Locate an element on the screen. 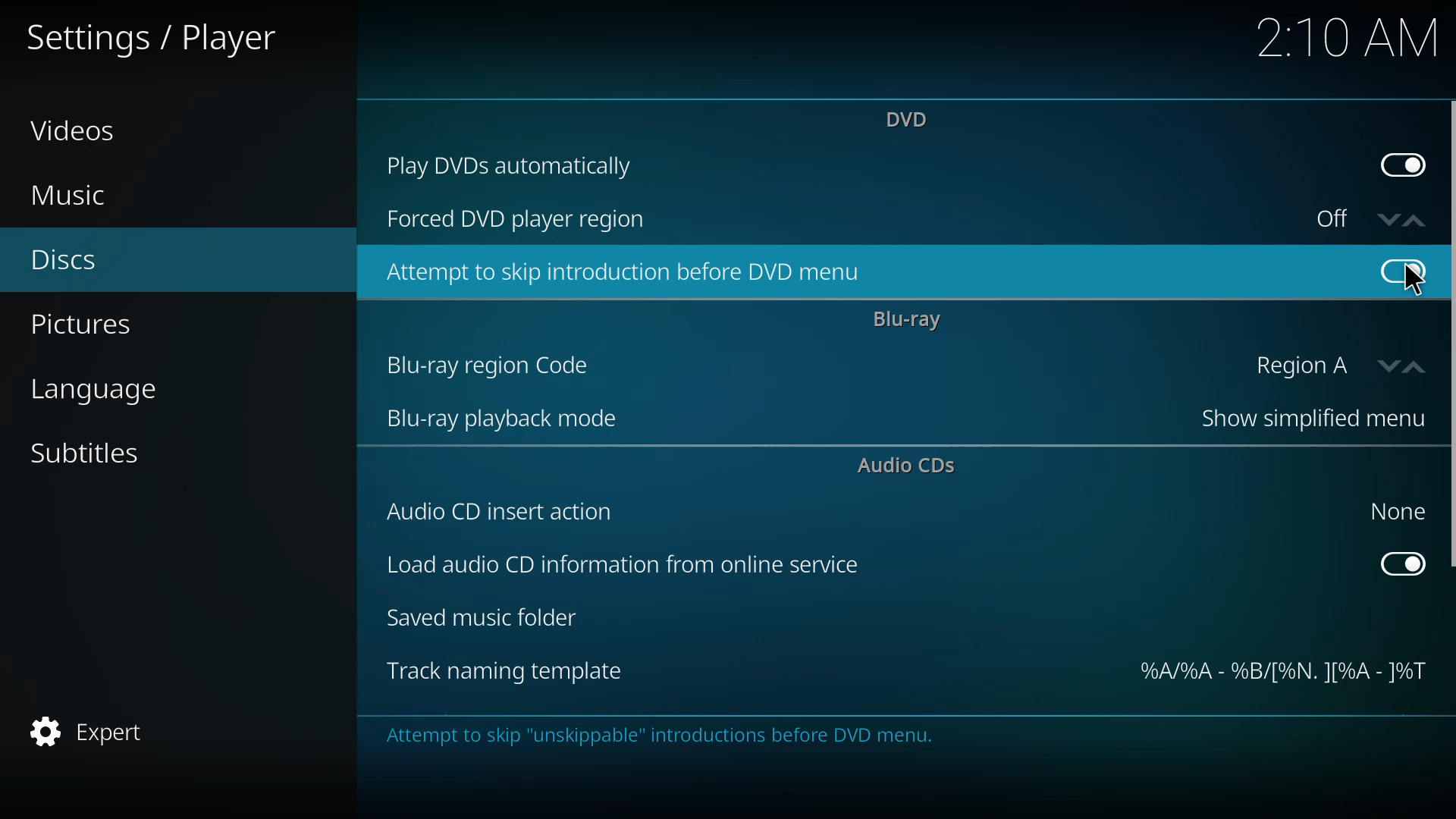  show simplified menu is located at coordinates (1304, 416).